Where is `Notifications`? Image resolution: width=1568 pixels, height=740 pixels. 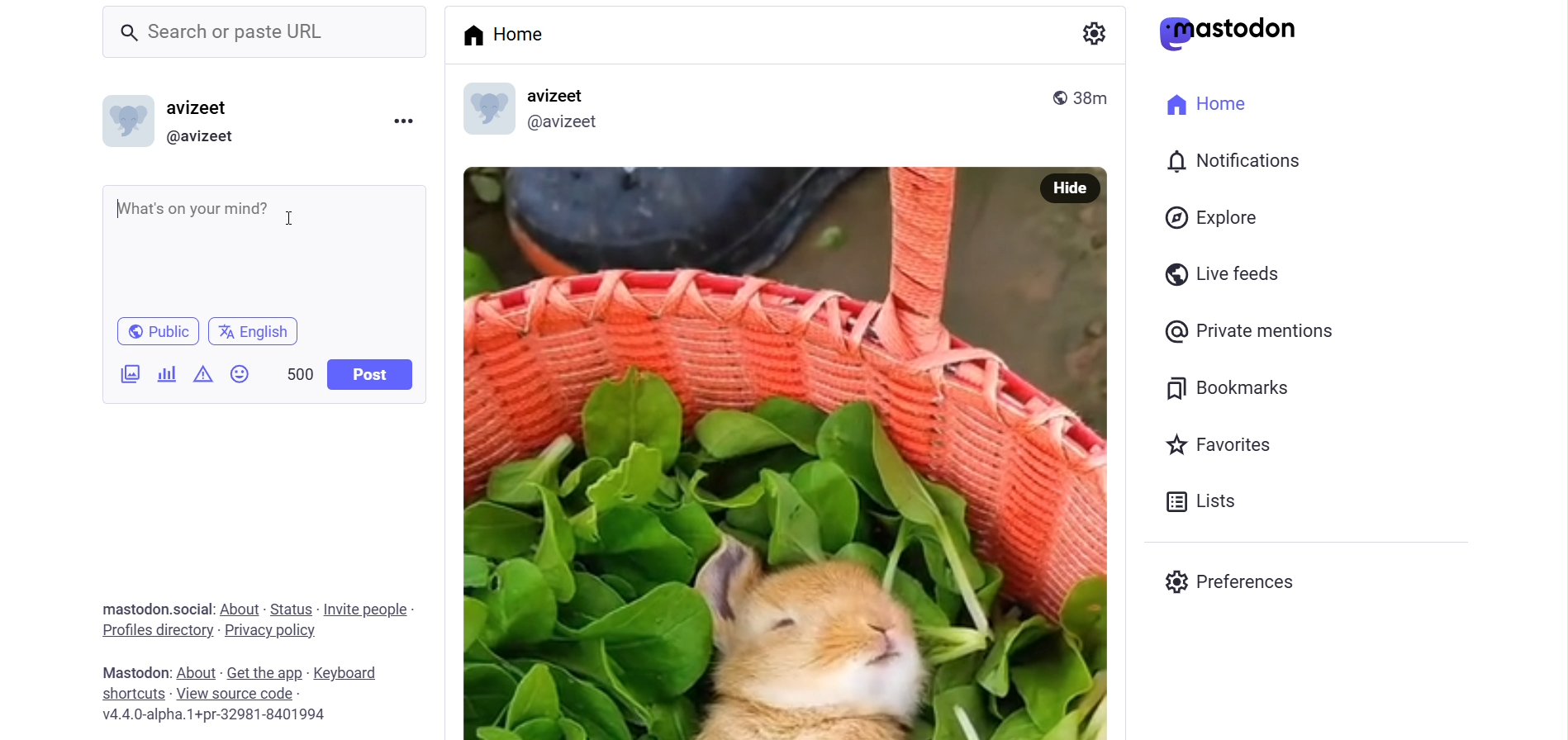 Notifications is located at coordinates (1238, 161).